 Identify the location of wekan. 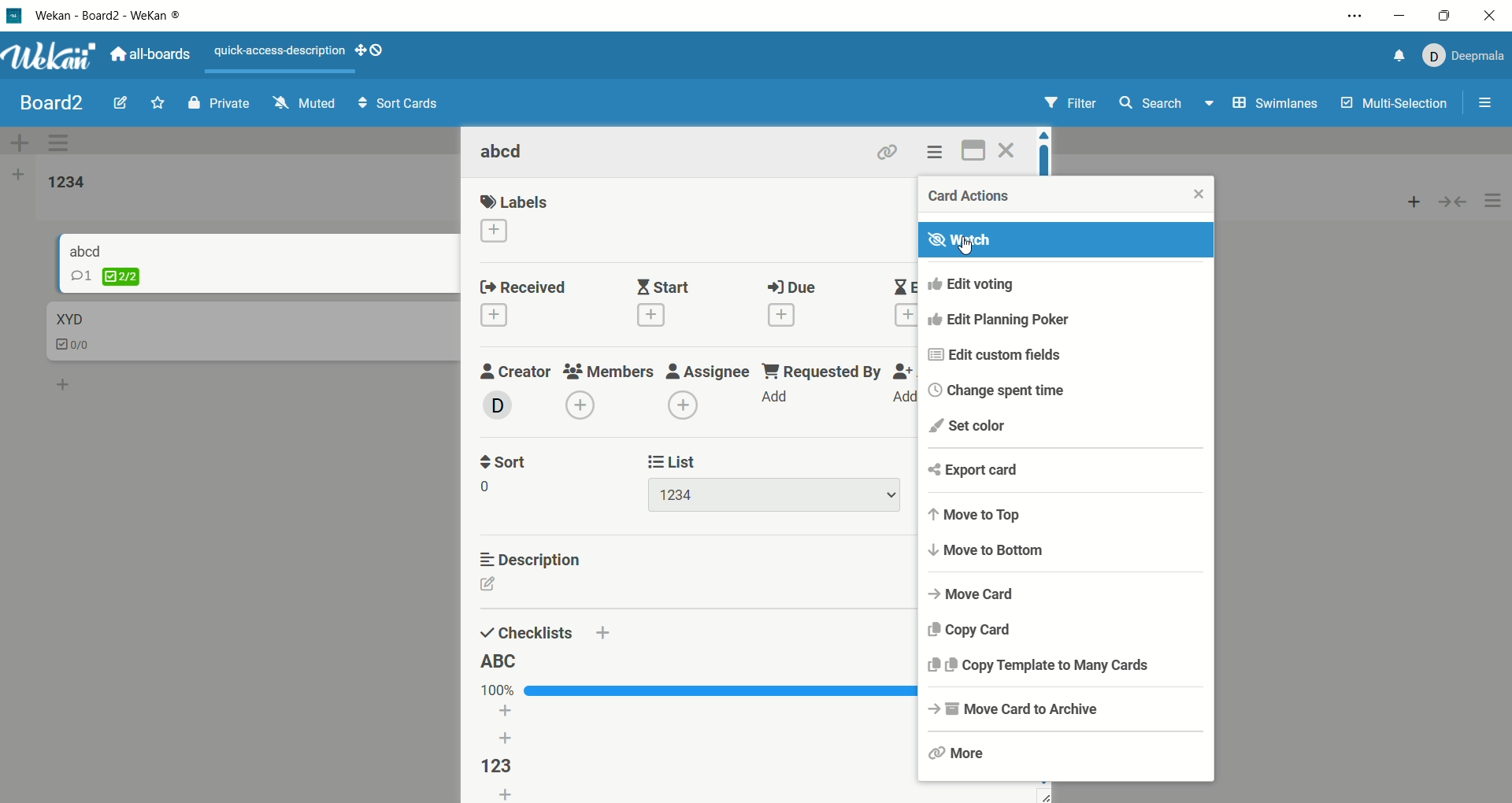
(53, 56).